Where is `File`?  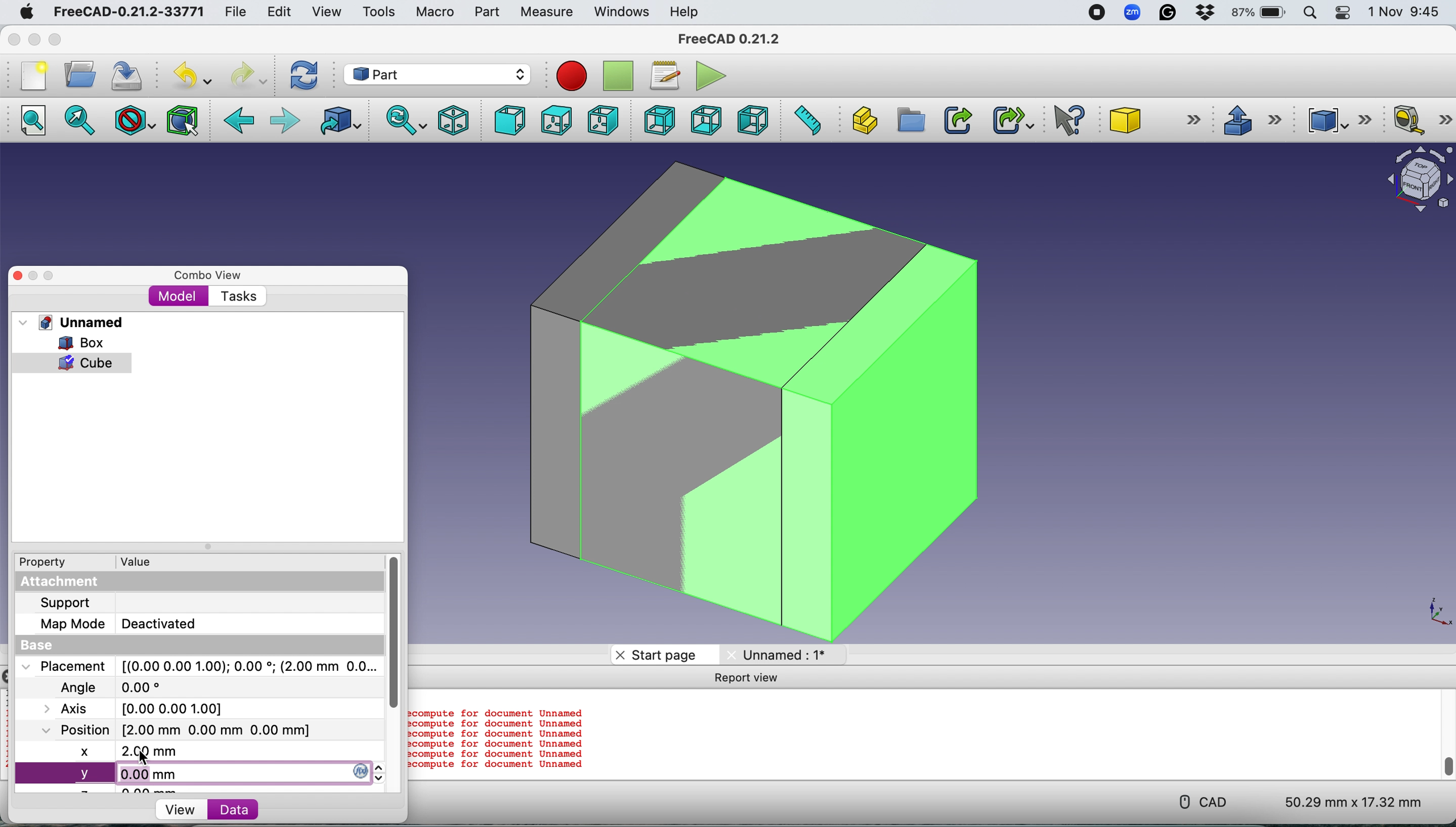 File is located at coordinates (232, 12).